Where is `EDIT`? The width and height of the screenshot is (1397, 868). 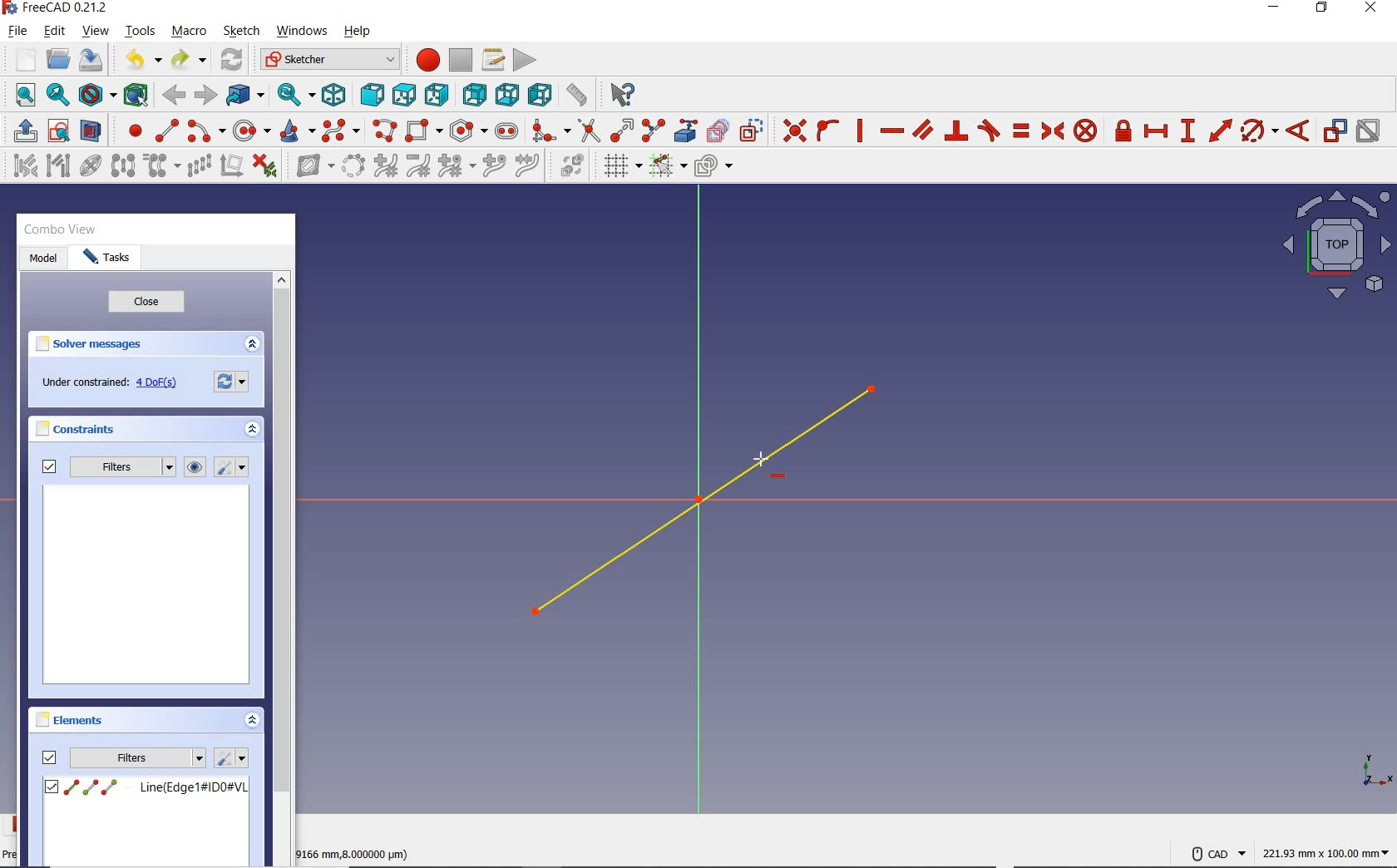
EDIT is located at coordinates (54, 31).